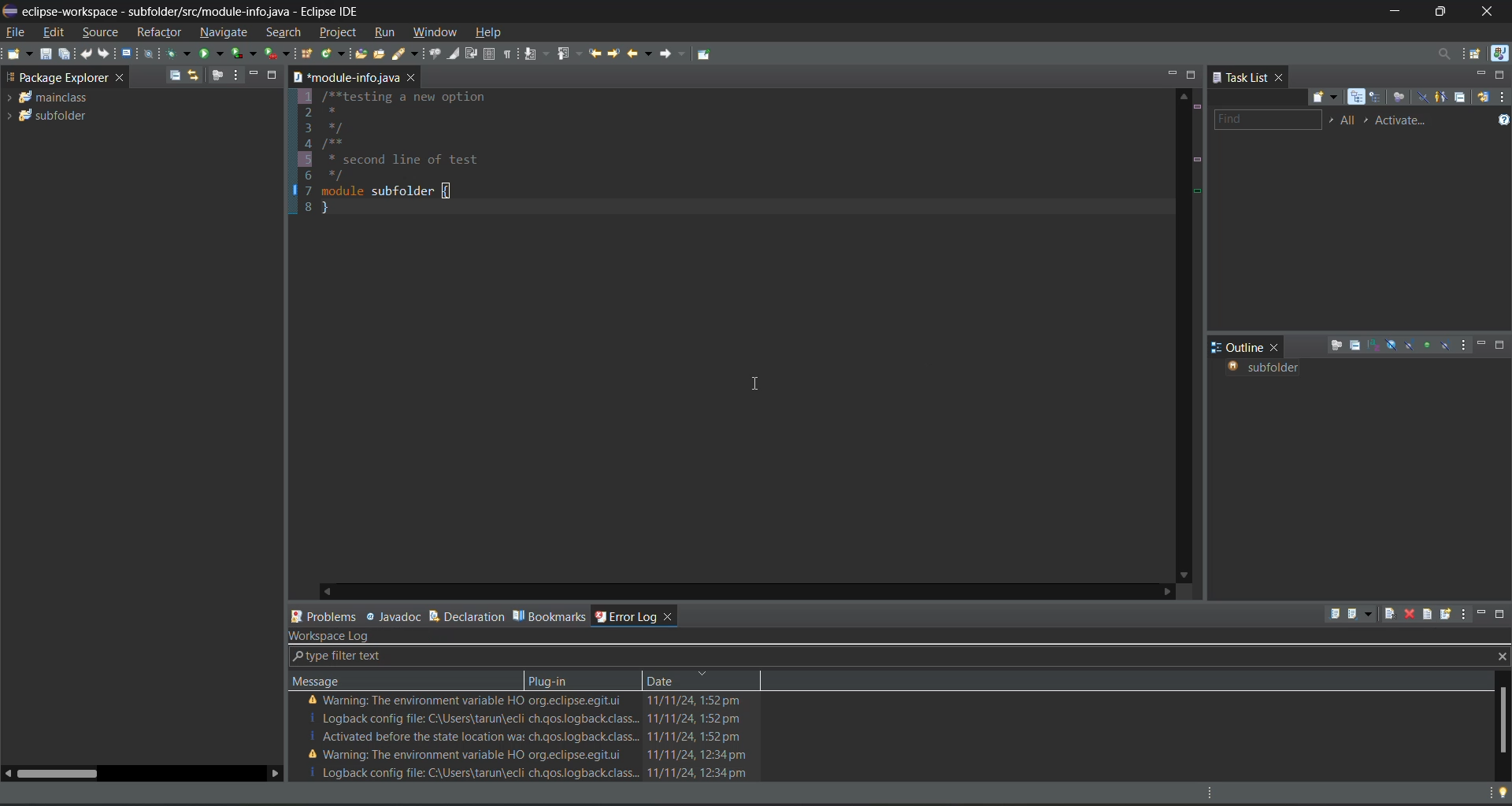 The height and width of the screenshot is (806, 1512). I want to click on show only my tasks, so click(1442, 98).